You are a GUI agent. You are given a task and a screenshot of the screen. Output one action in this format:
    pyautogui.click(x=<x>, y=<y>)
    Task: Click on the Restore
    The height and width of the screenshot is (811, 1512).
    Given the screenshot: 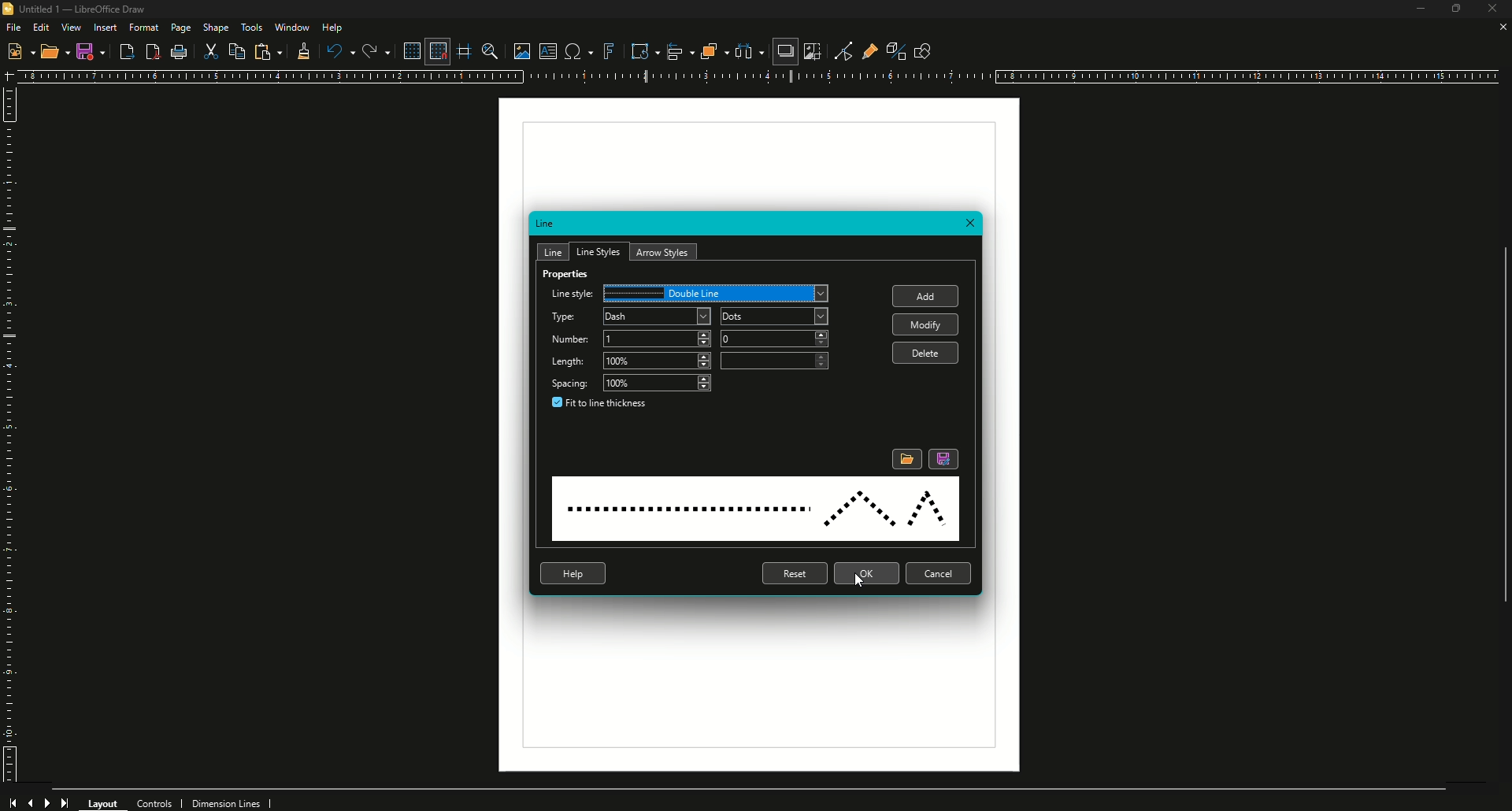 What is the action you would take?
    pyautogui.click(x=1454, y=10)
    